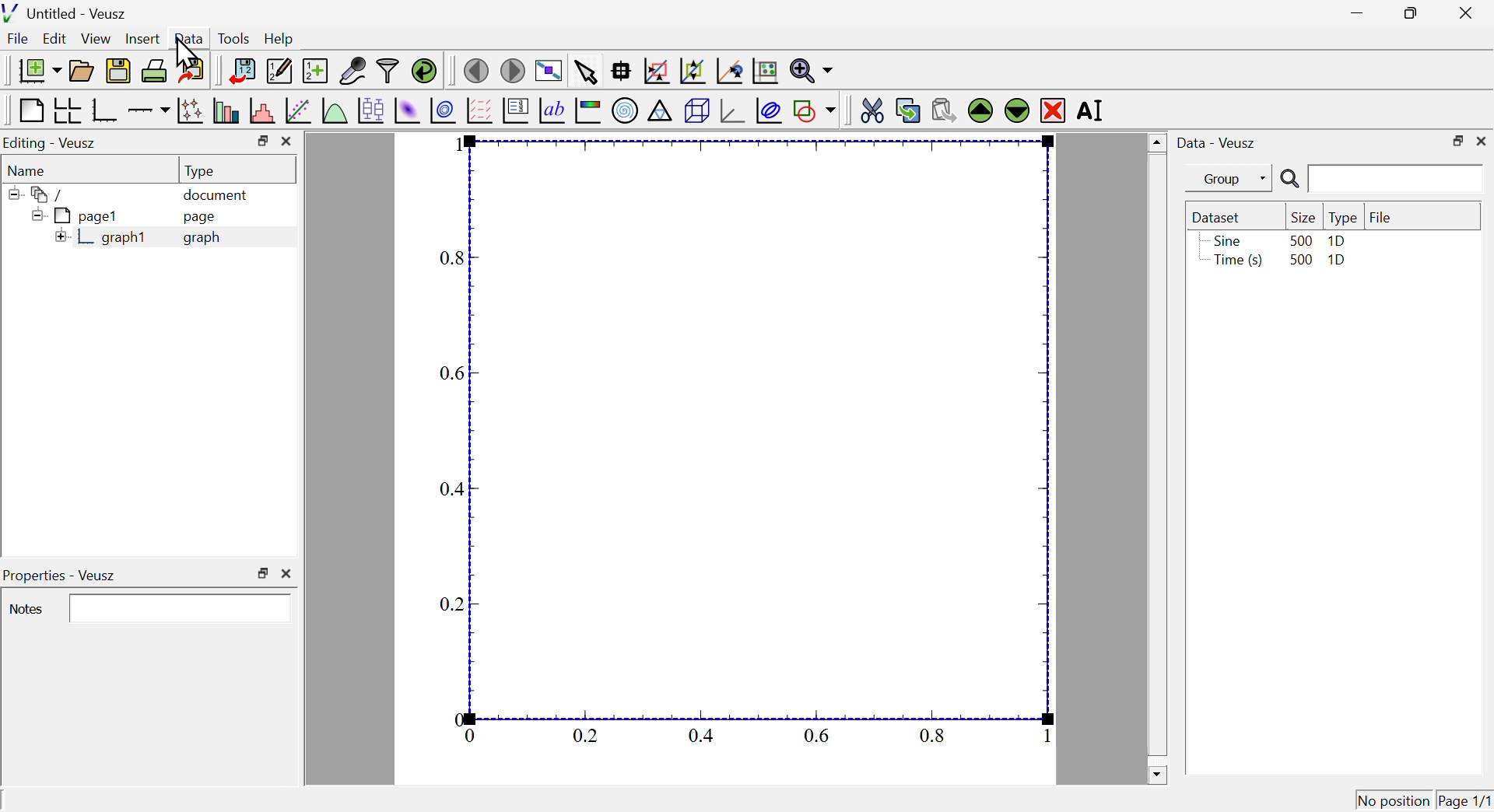 This screenshot has height=812, width=1494. What do you see at coordinates (622, 72) in the screenshot?
I see `read data points on the graph` at bounding box center [622, 72].